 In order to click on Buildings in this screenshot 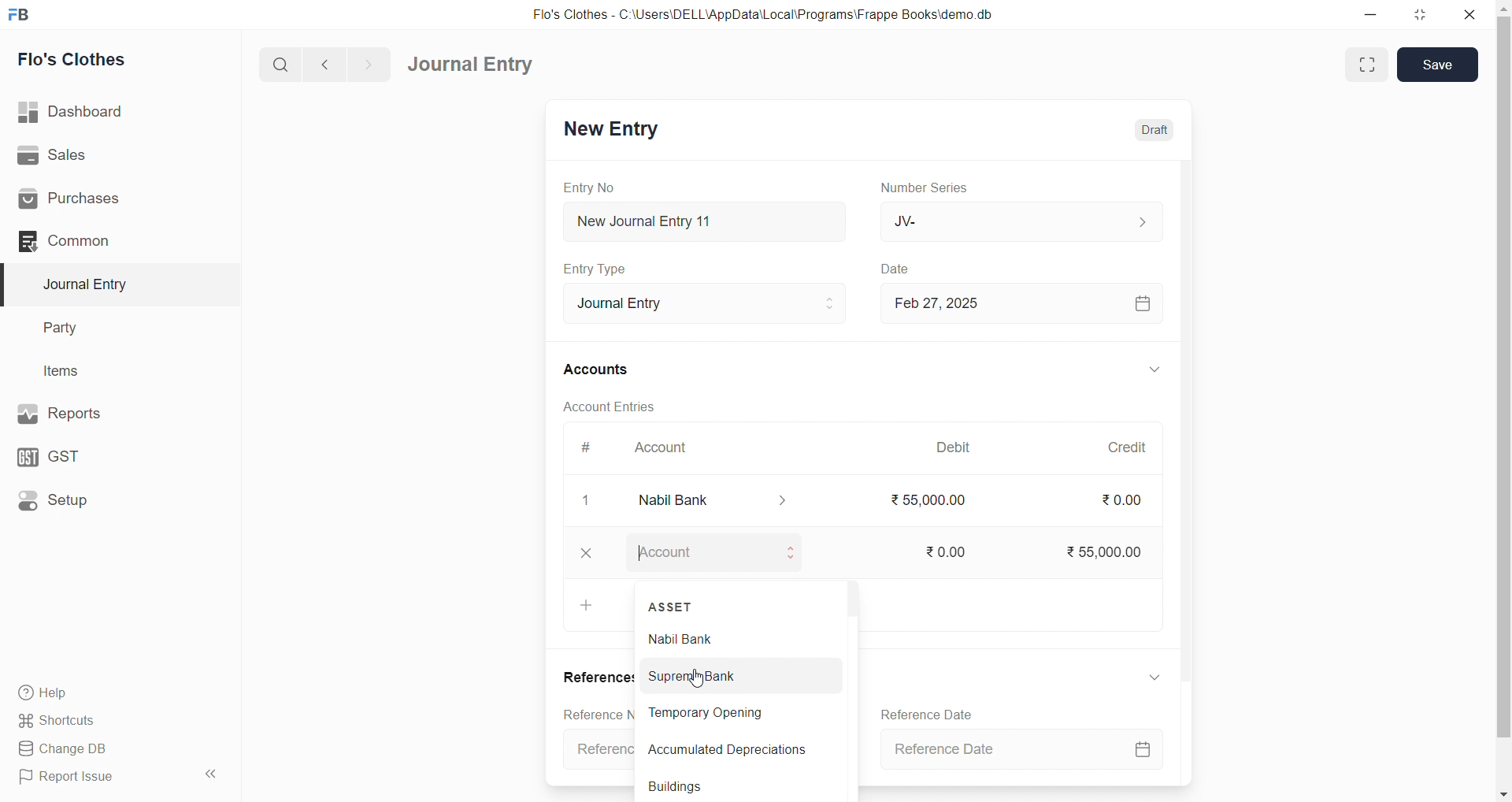, I will do `click(728, 788)`.